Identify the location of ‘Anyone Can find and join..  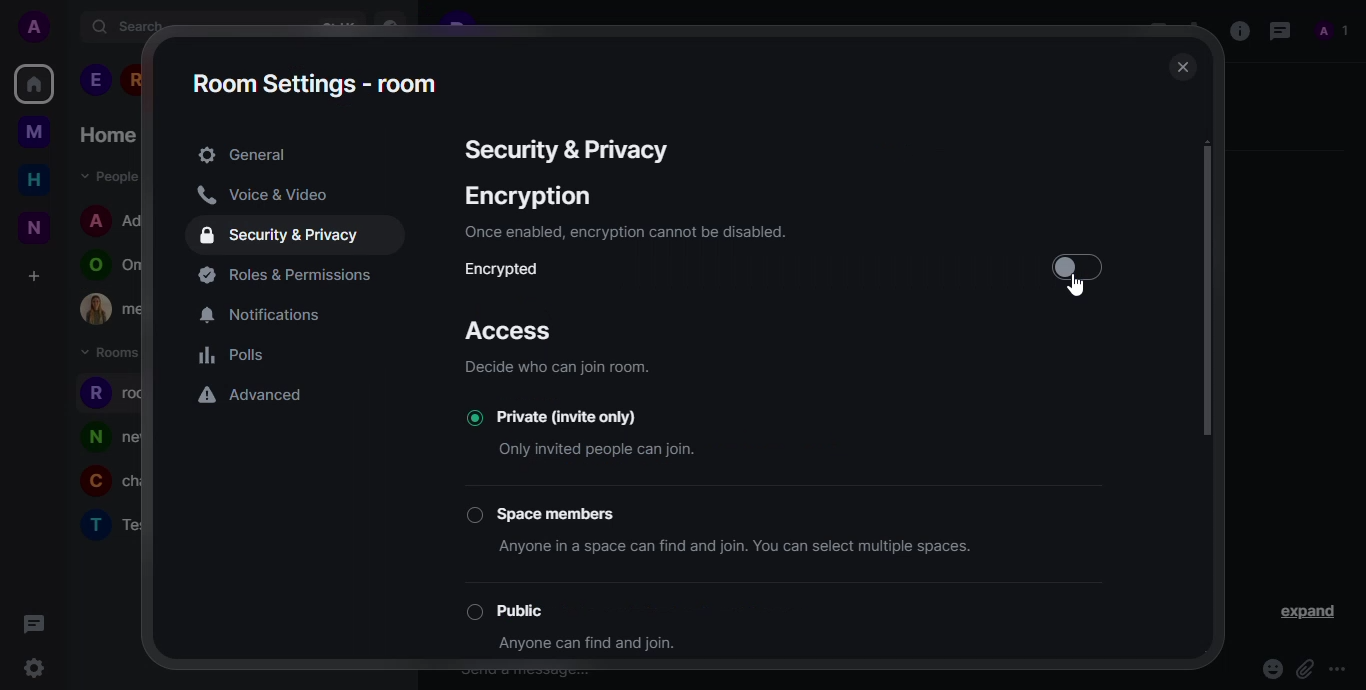
(592, 647).